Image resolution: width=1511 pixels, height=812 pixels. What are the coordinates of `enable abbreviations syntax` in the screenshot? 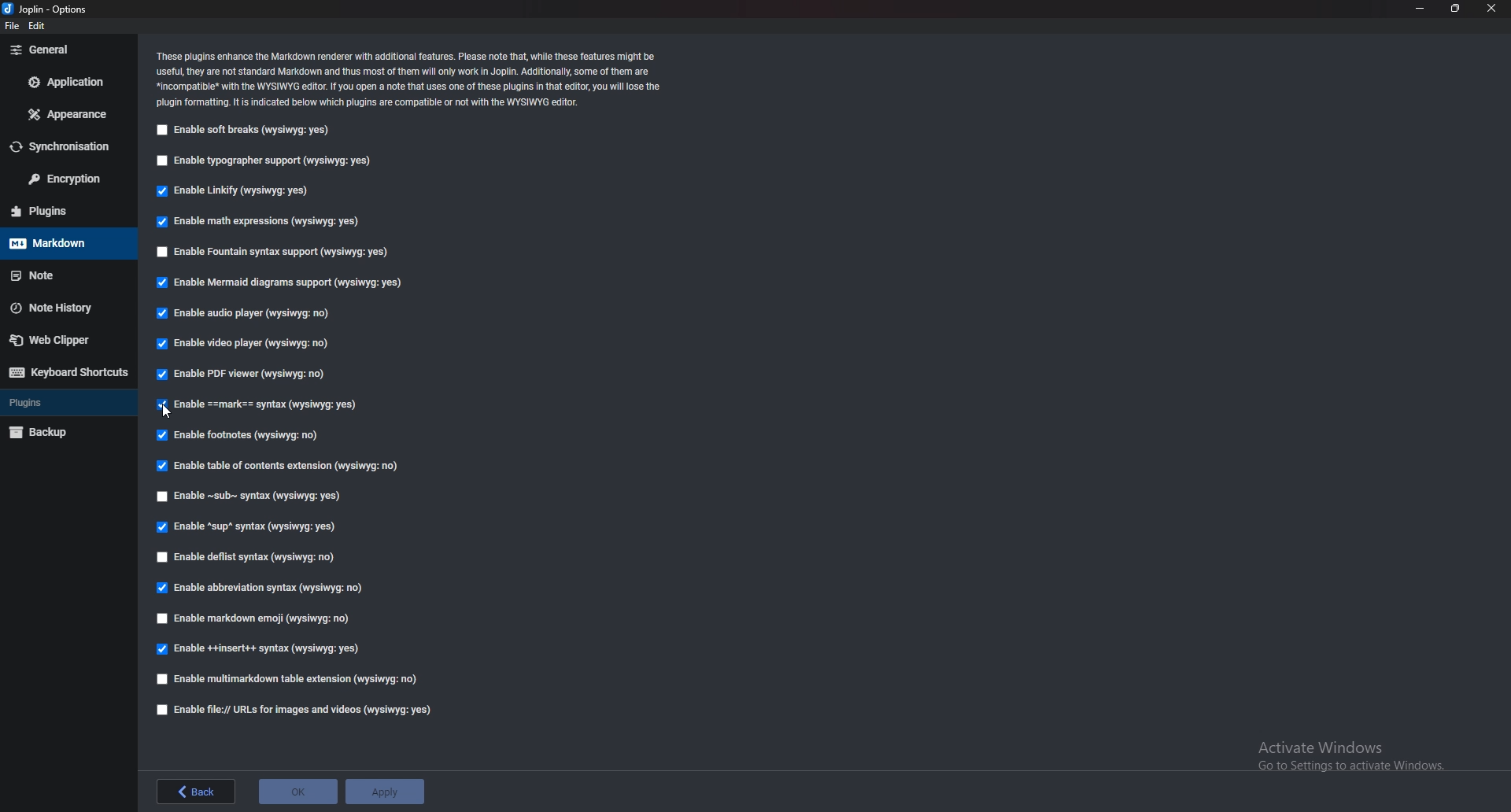 It's located at (260, 588).